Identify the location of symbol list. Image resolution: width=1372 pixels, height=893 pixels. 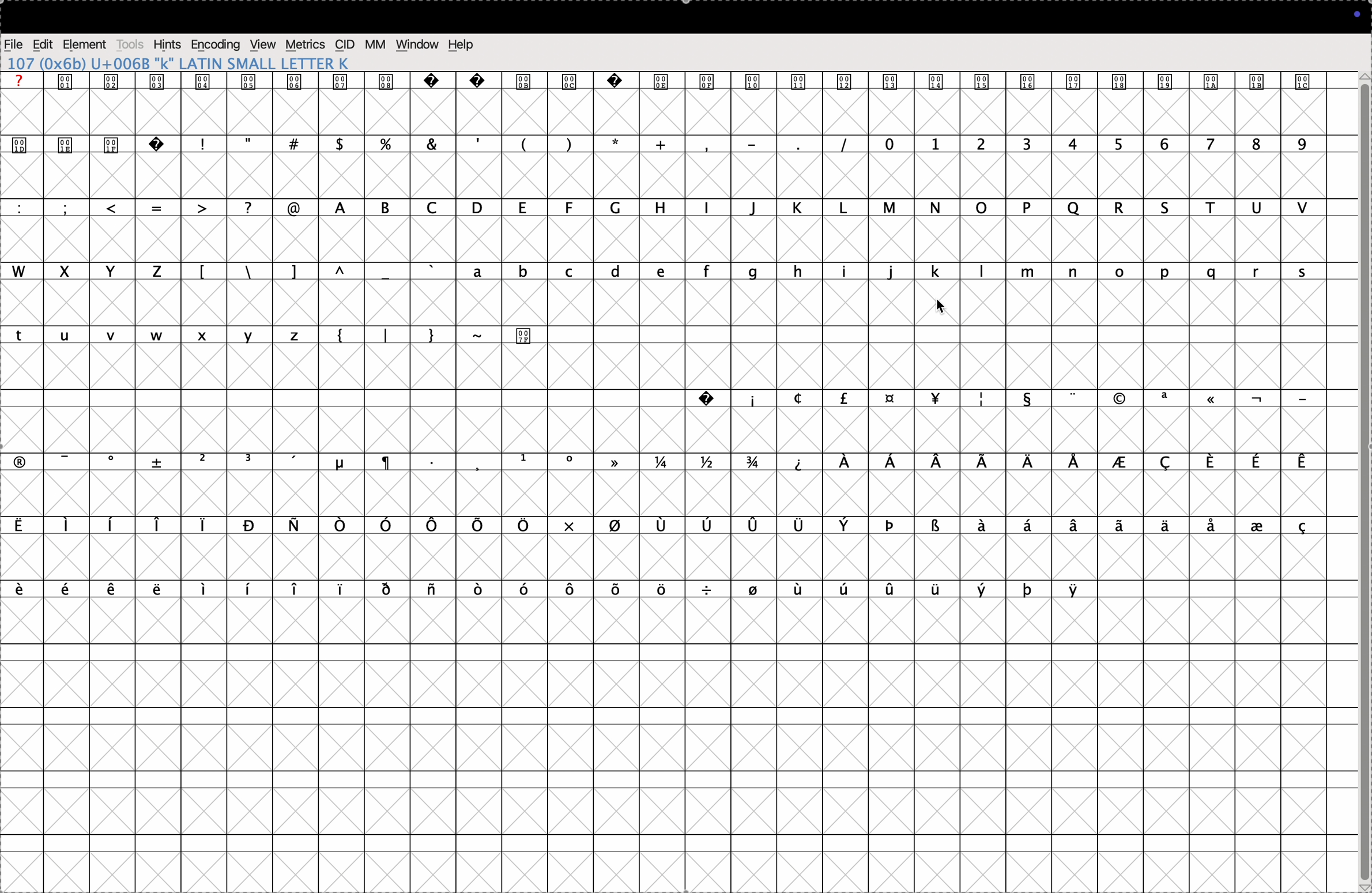
(1011, 400).